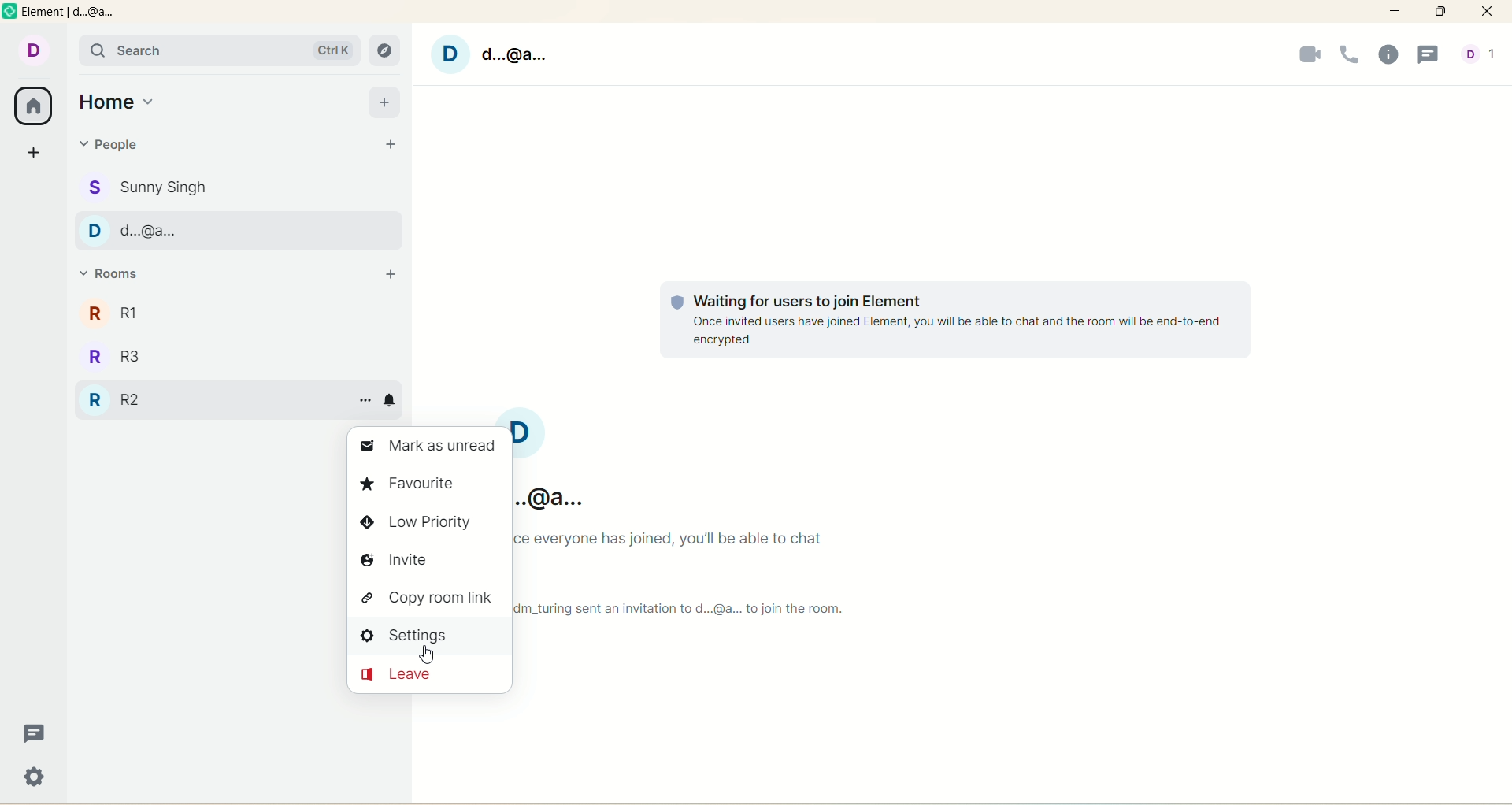 The width and height of the screenshot is (1512, 805). I want to click on R3, so click(236, 354).